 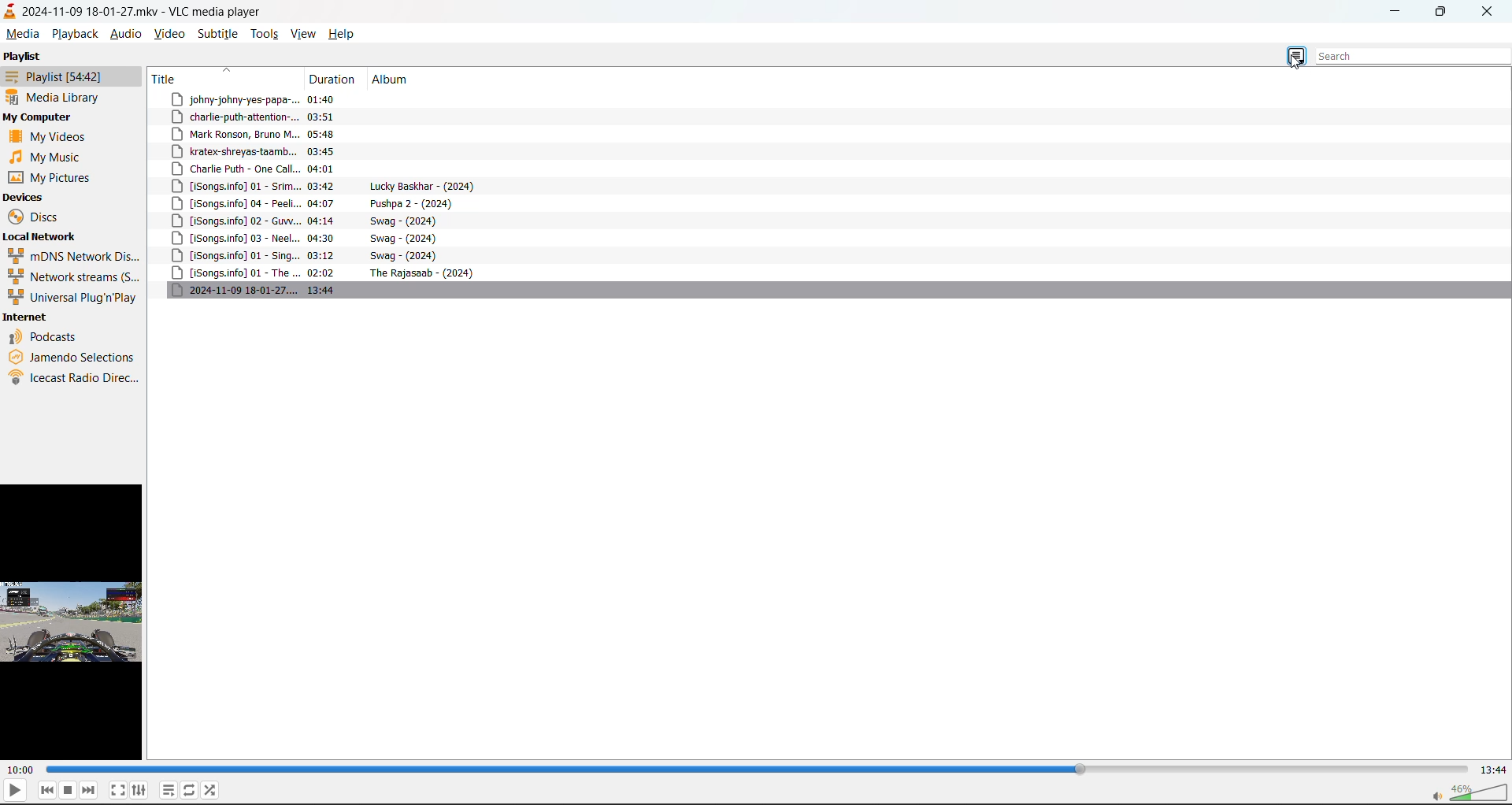 What do you see at coordinates (1401, 14) in the screenshot?
I see `minimize` at bounding box center [1401, 14].